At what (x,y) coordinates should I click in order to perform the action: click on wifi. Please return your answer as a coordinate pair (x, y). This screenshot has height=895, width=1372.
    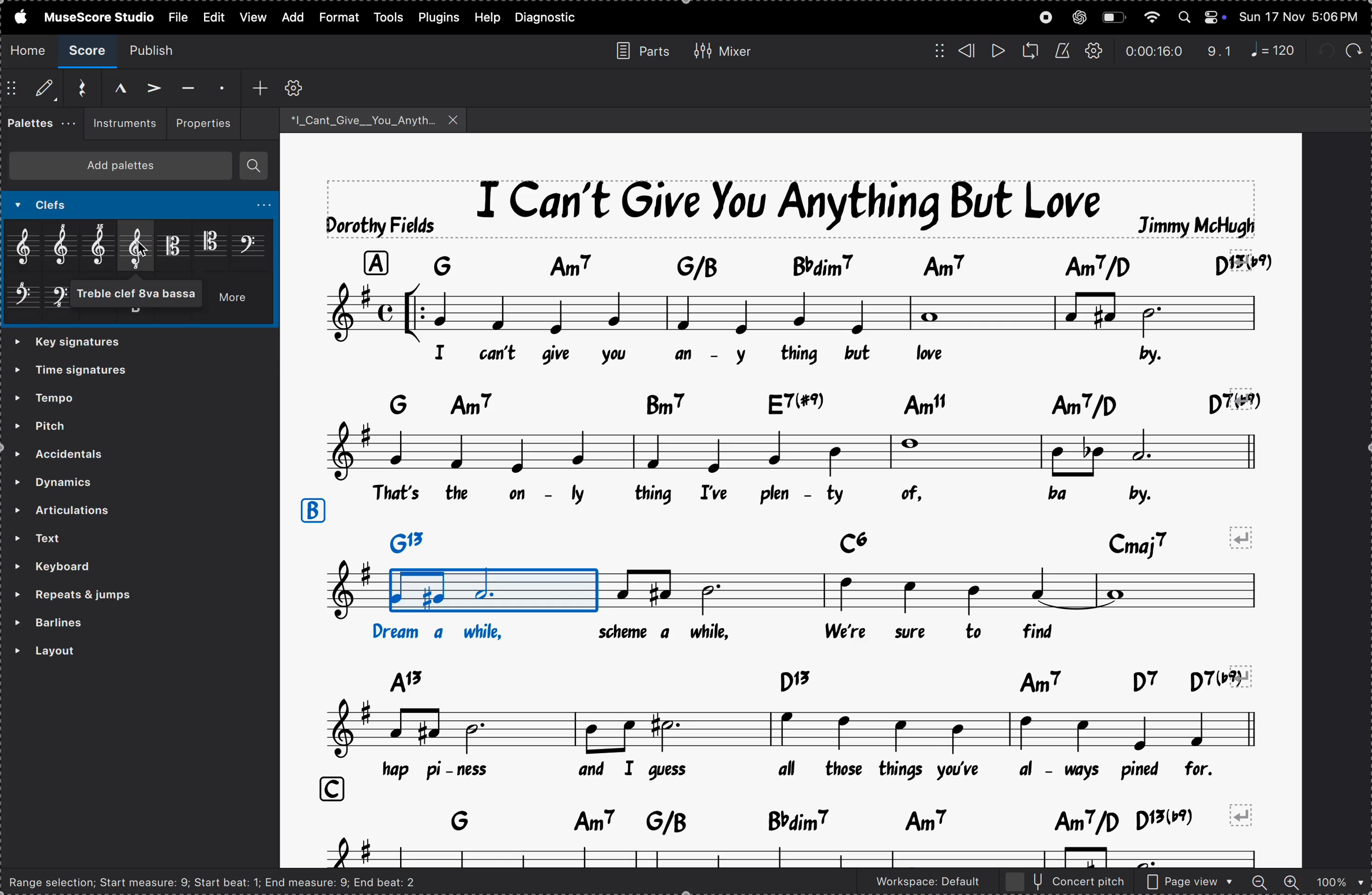
    Looking at the image, I should click on (1150, 18).